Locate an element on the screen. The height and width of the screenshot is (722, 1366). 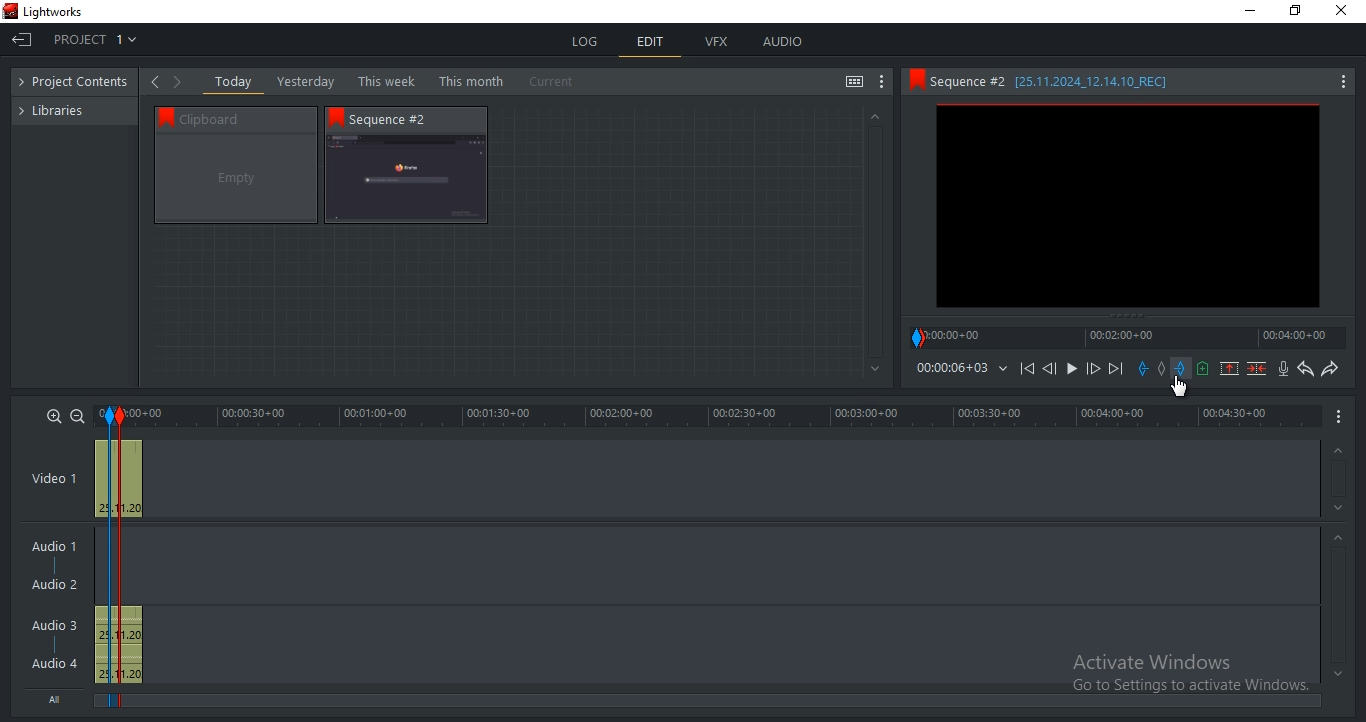
Show settings menu is located at coordinates (1342, 83).